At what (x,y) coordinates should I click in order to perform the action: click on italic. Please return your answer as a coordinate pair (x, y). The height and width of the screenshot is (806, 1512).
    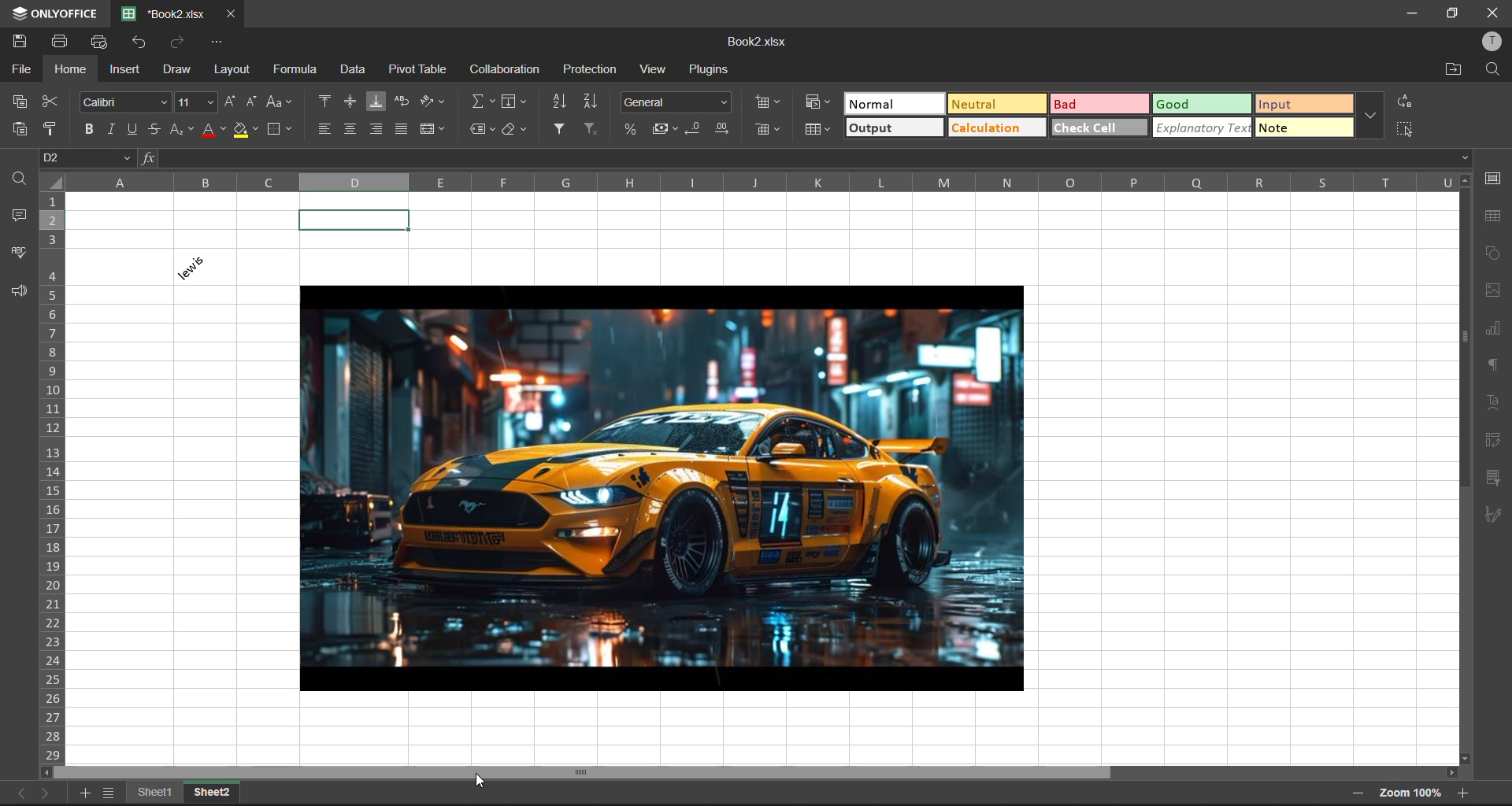
    Looking at the image, I should click on (117, 128).